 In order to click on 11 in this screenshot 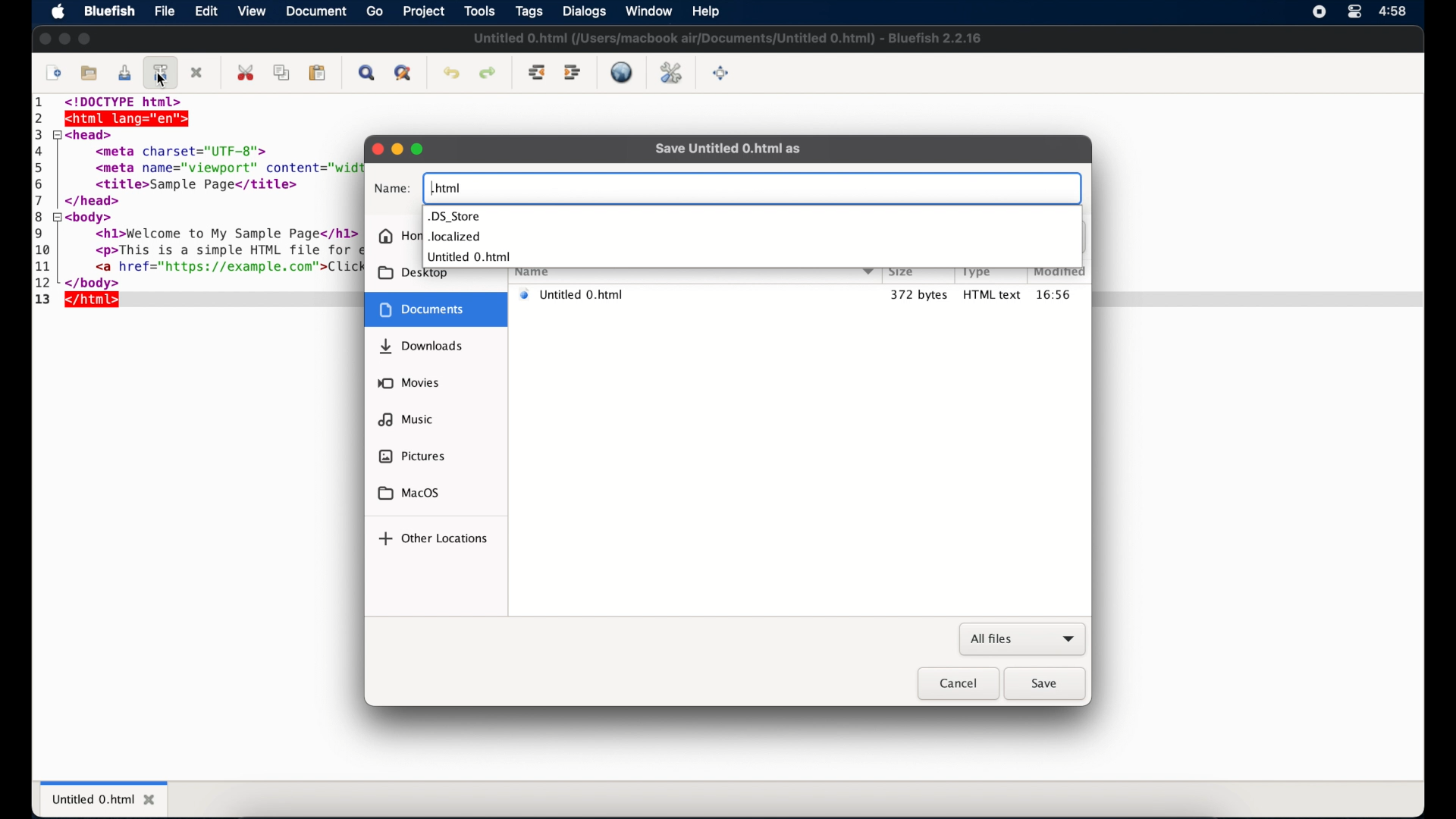, I will do `click(45, 266)`.